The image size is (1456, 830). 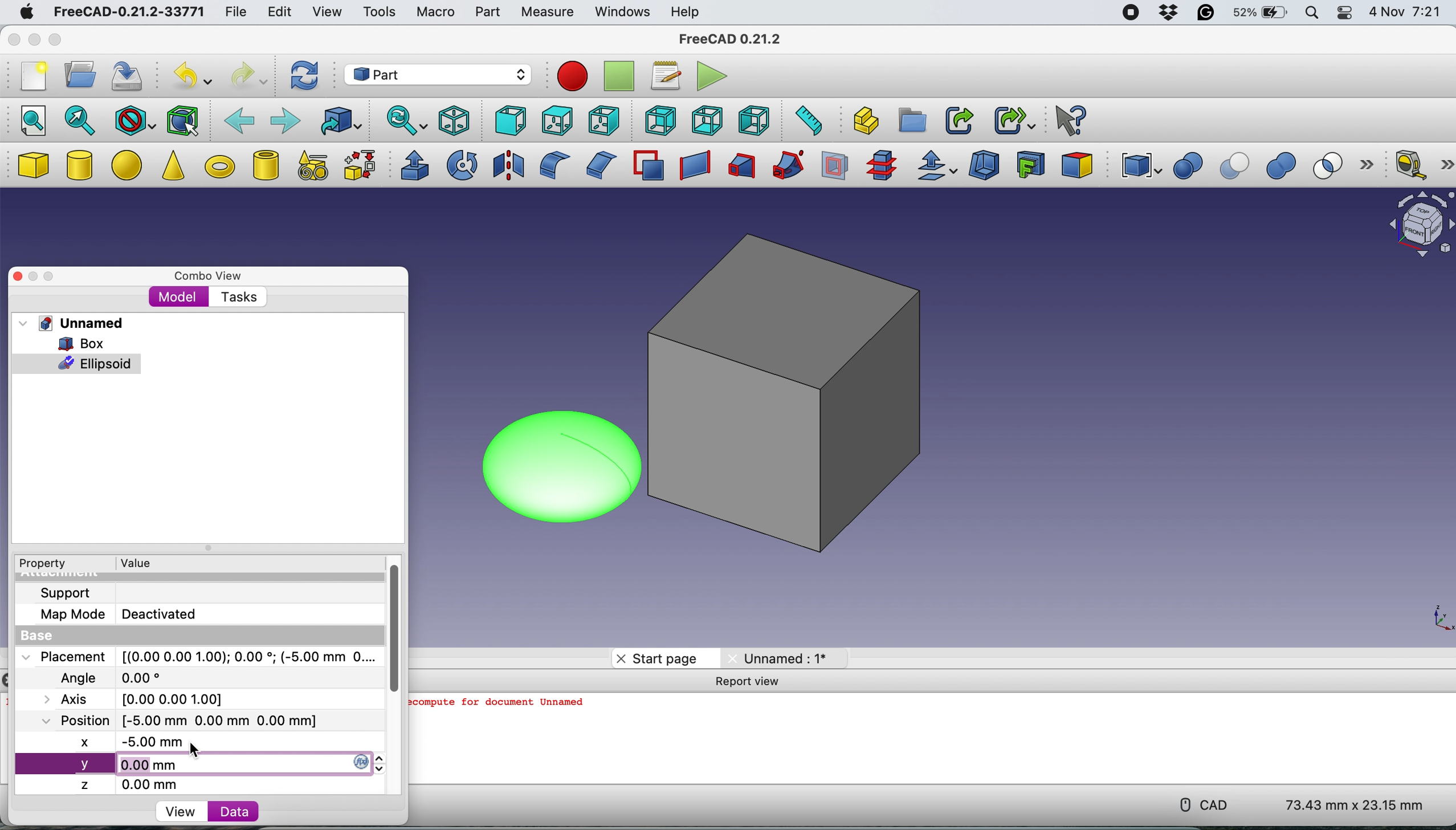 I want to click on save, so click(x=129, y=78).